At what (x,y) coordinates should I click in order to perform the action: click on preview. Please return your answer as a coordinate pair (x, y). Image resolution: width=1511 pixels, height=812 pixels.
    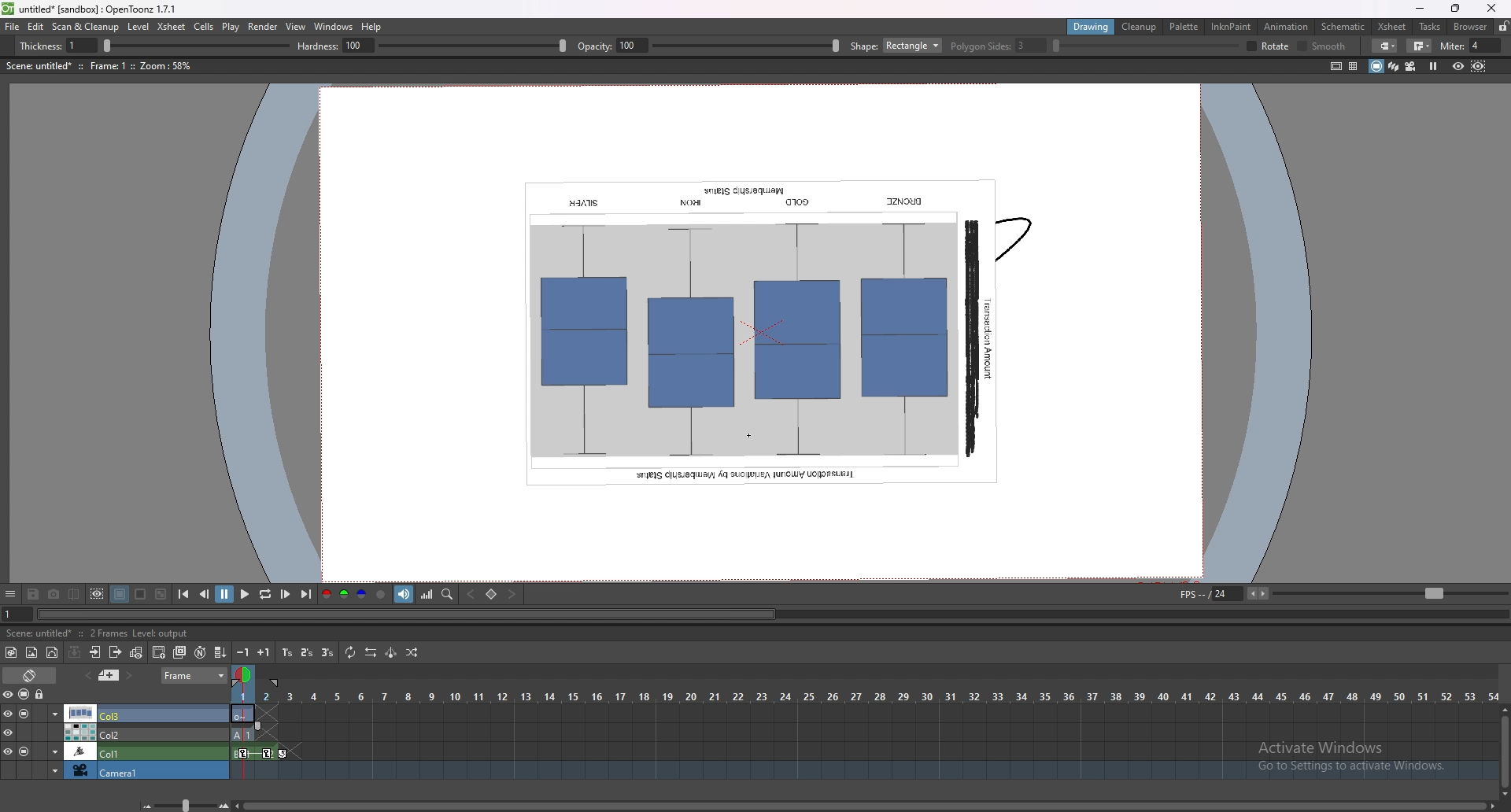
    Looking at the image, I should click on (1458, 65).